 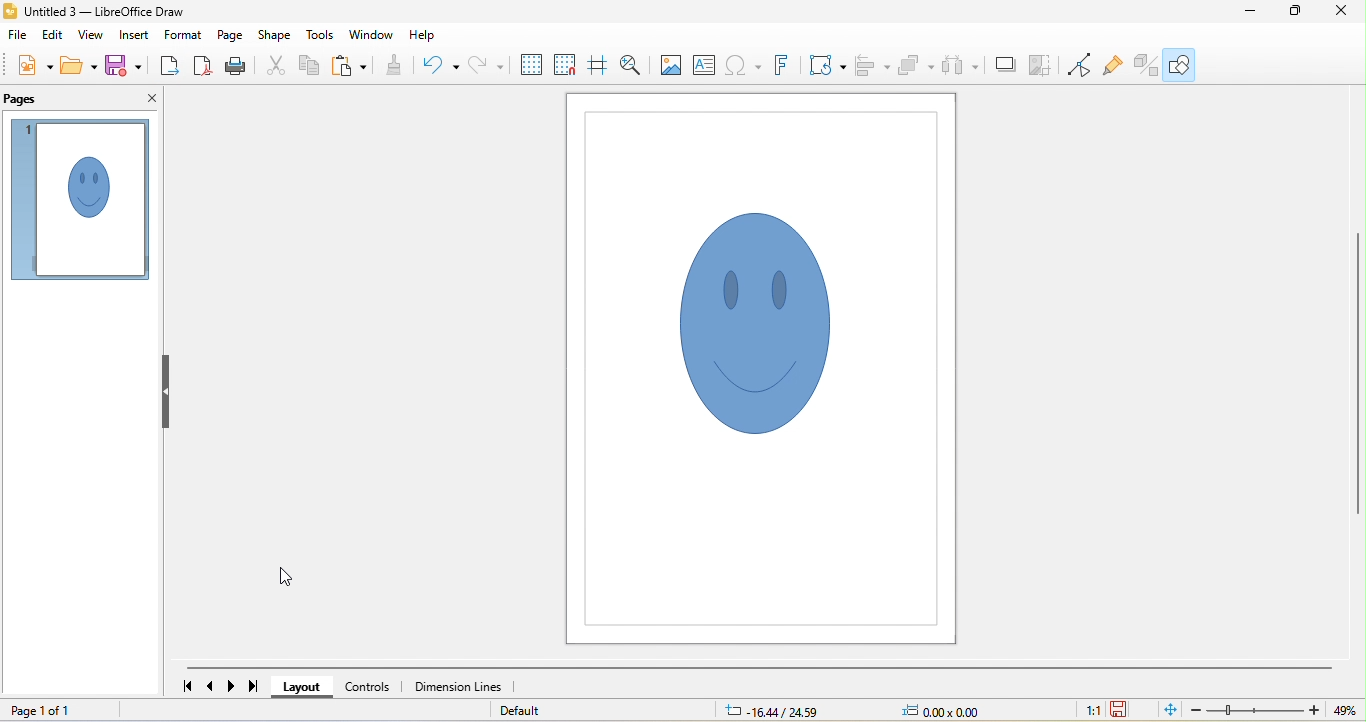 I want to click on zoom, so click(x=1274, y=709).